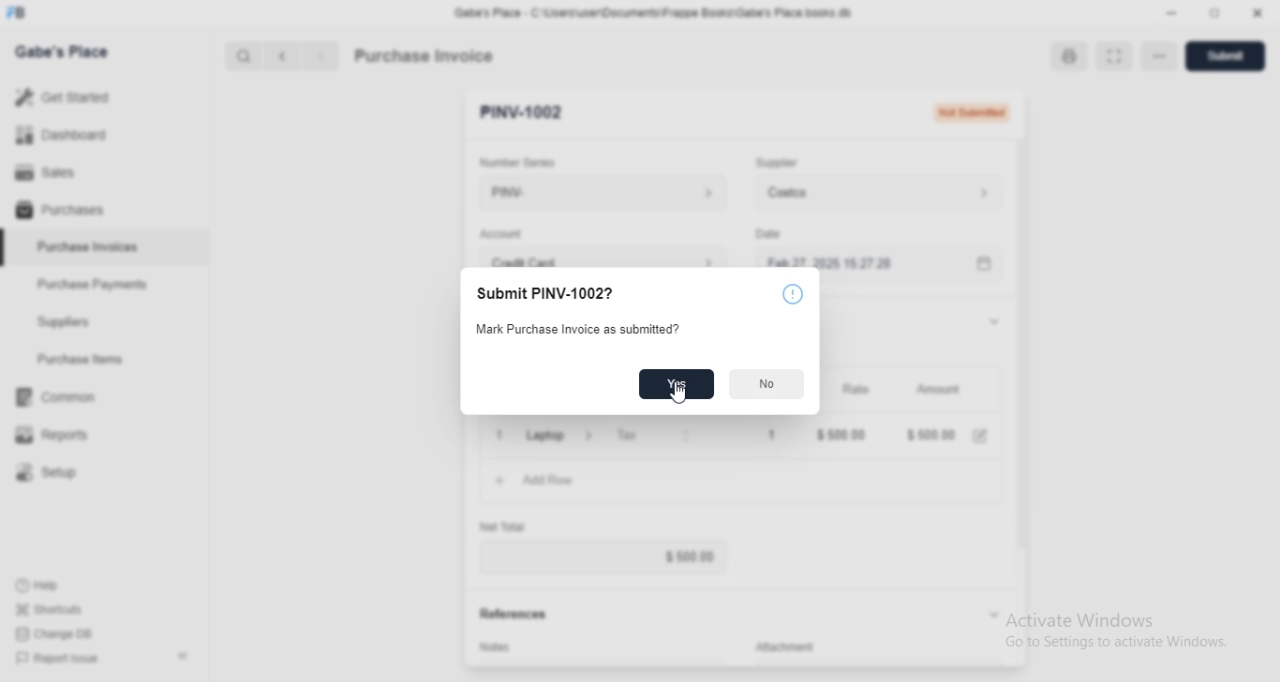 This screenshot has width=1280, height=682. I want to click on Edit, so click(980, 436).